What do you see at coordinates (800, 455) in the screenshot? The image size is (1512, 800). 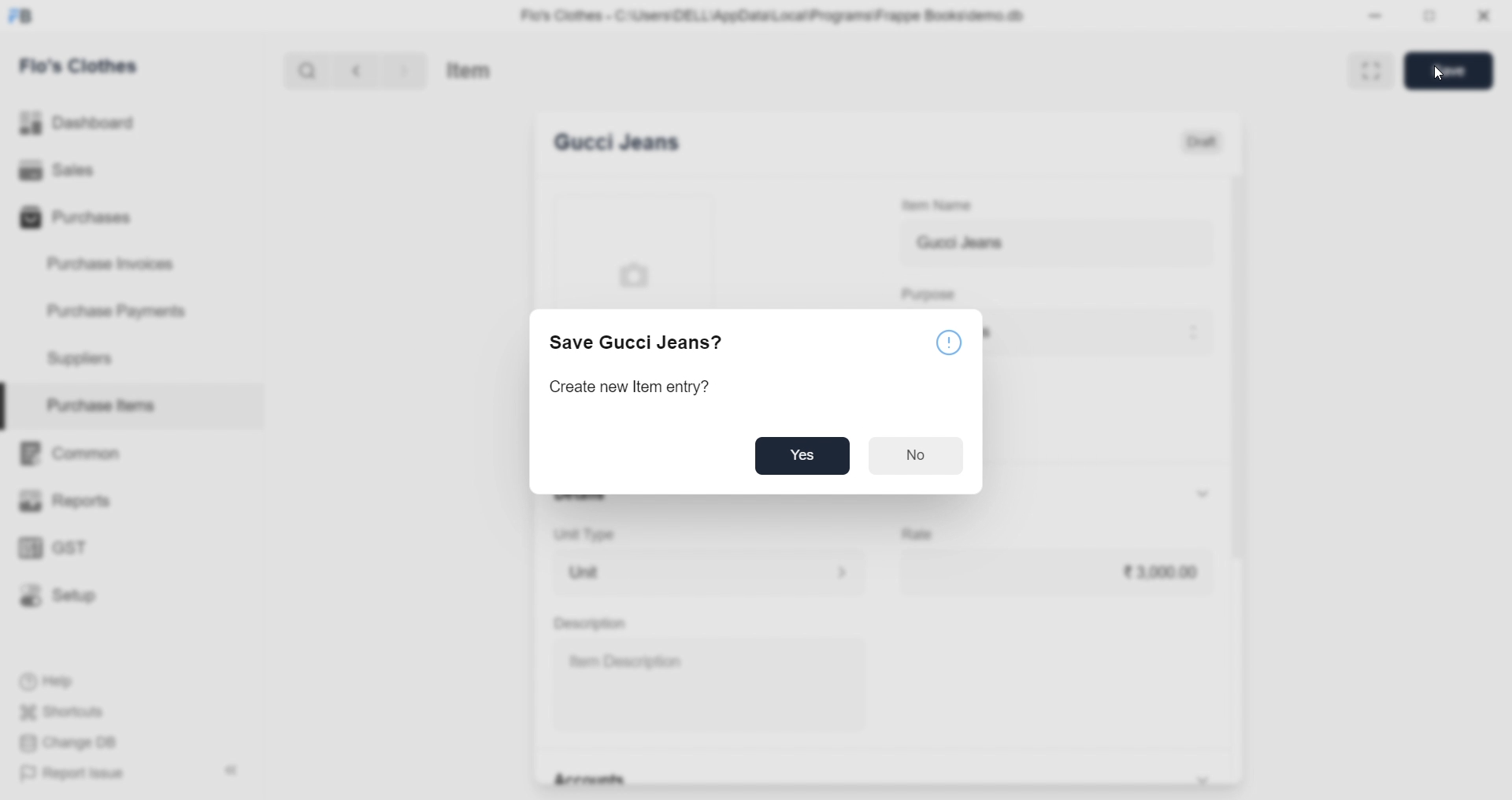 I see `Yes` at bounding box center [800, 455].